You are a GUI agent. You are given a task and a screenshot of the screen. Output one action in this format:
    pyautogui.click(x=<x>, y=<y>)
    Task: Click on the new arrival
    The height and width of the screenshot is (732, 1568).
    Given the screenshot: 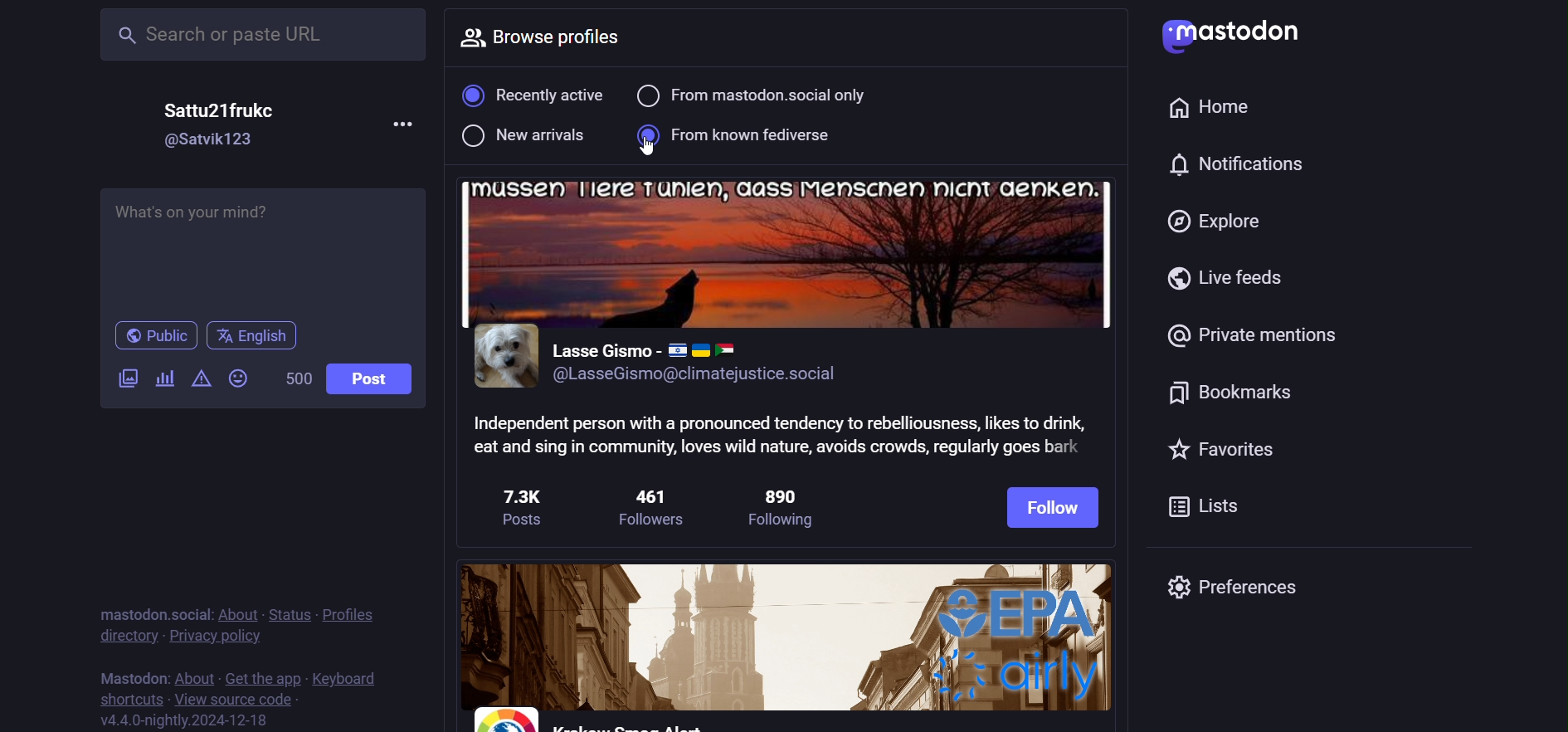 What is the action you would take?
    pyautogui.click(x=529, y=137)
    